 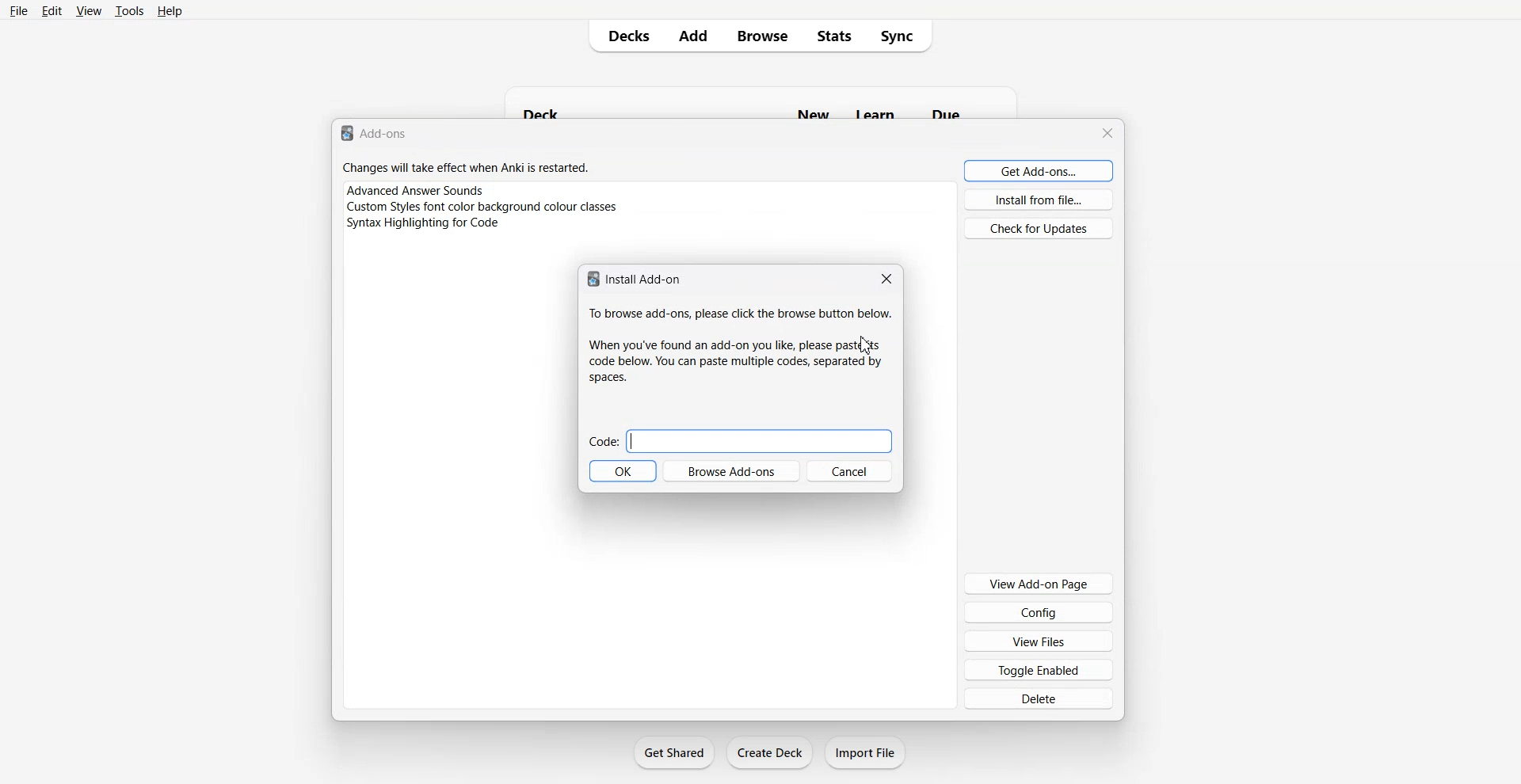 What do you see at coordinates (591, 280) in the screenshot?
I see `logo` at bounding box center [591, 280].